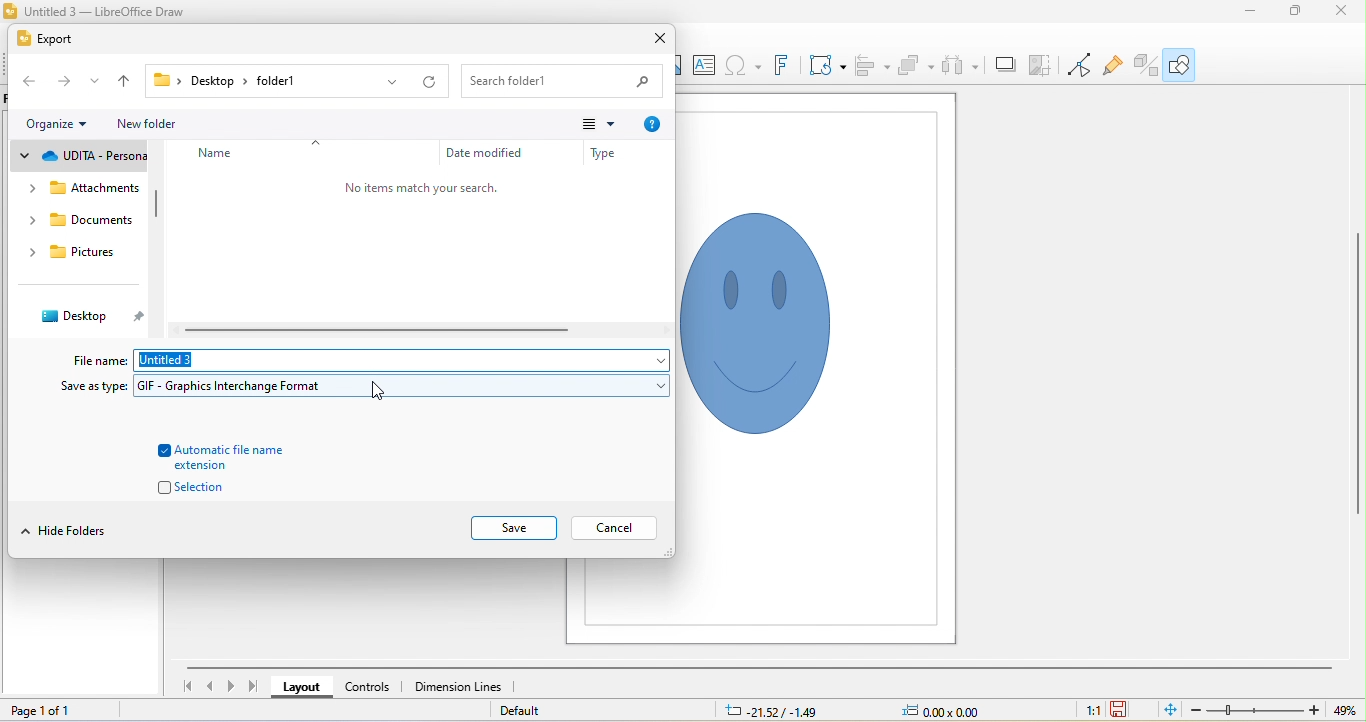 Image resolution: width=1366 pixels, height=722 pixels. I want to click on date modified, so click(484, 153).